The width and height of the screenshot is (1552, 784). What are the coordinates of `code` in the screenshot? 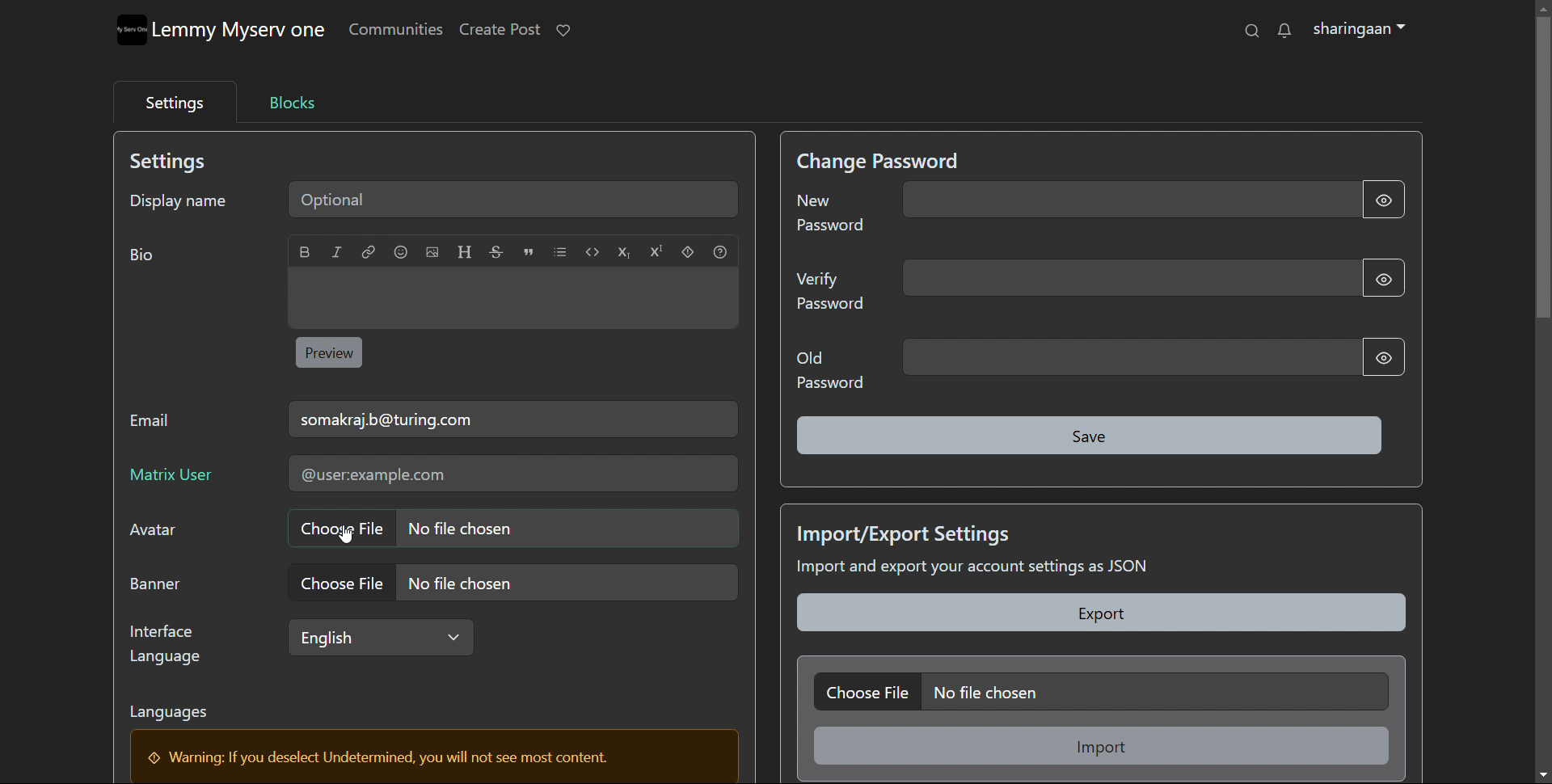 It's located at (592, 252).